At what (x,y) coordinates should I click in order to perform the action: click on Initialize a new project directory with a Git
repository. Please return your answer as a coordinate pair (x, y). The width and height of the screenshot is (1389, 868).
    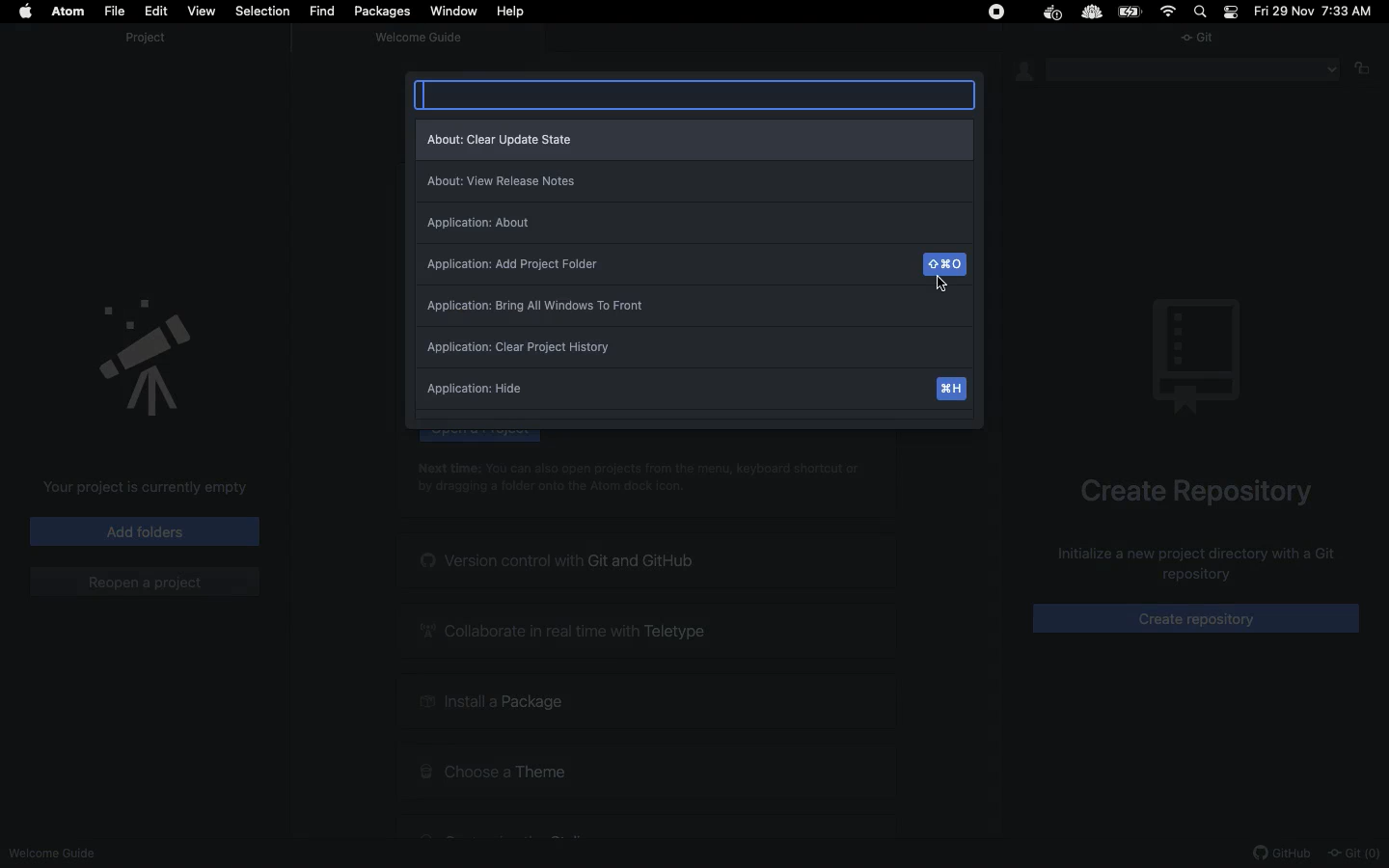
    Looking at the image, I should click on (1185, 565).